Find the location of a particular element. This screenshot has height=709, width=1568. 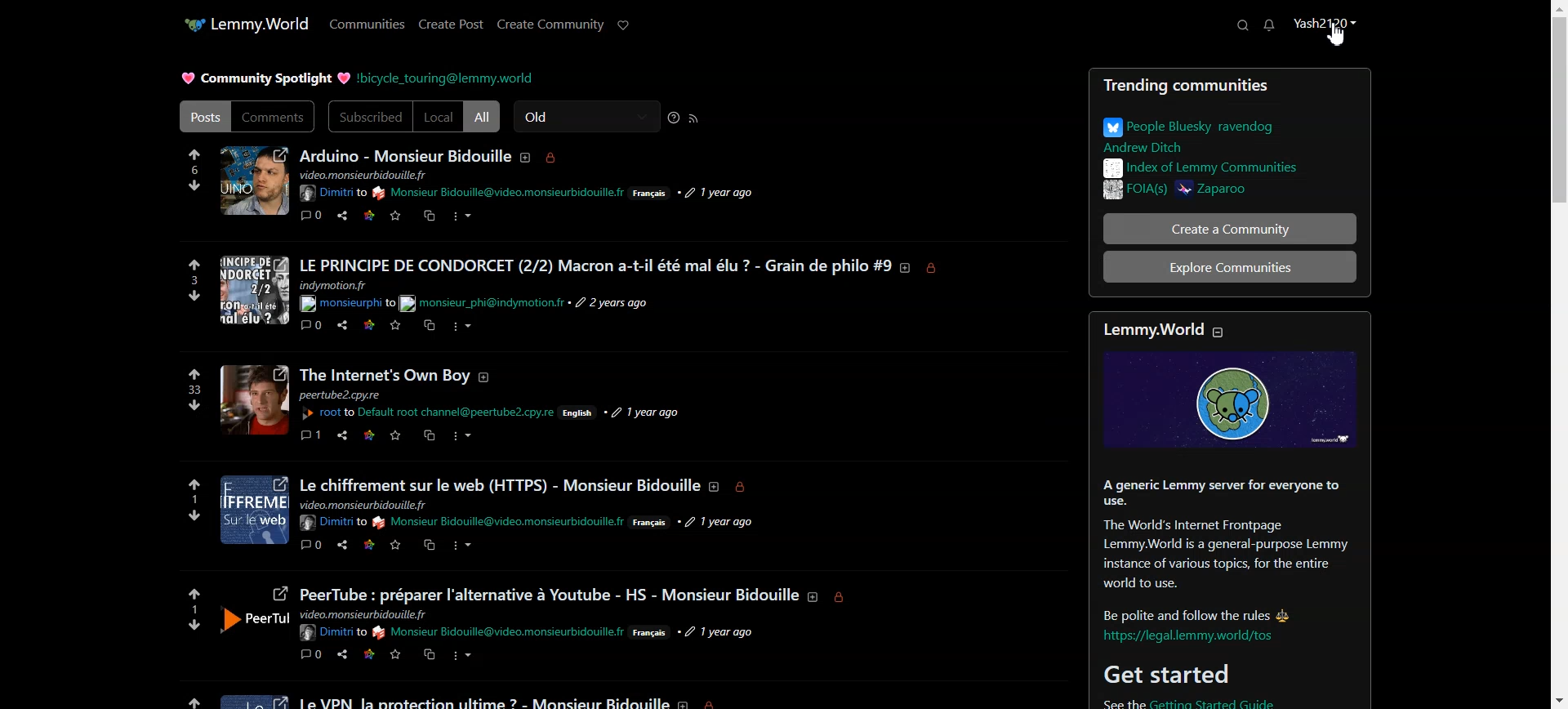

Communities is located at coordinates (367, 23).